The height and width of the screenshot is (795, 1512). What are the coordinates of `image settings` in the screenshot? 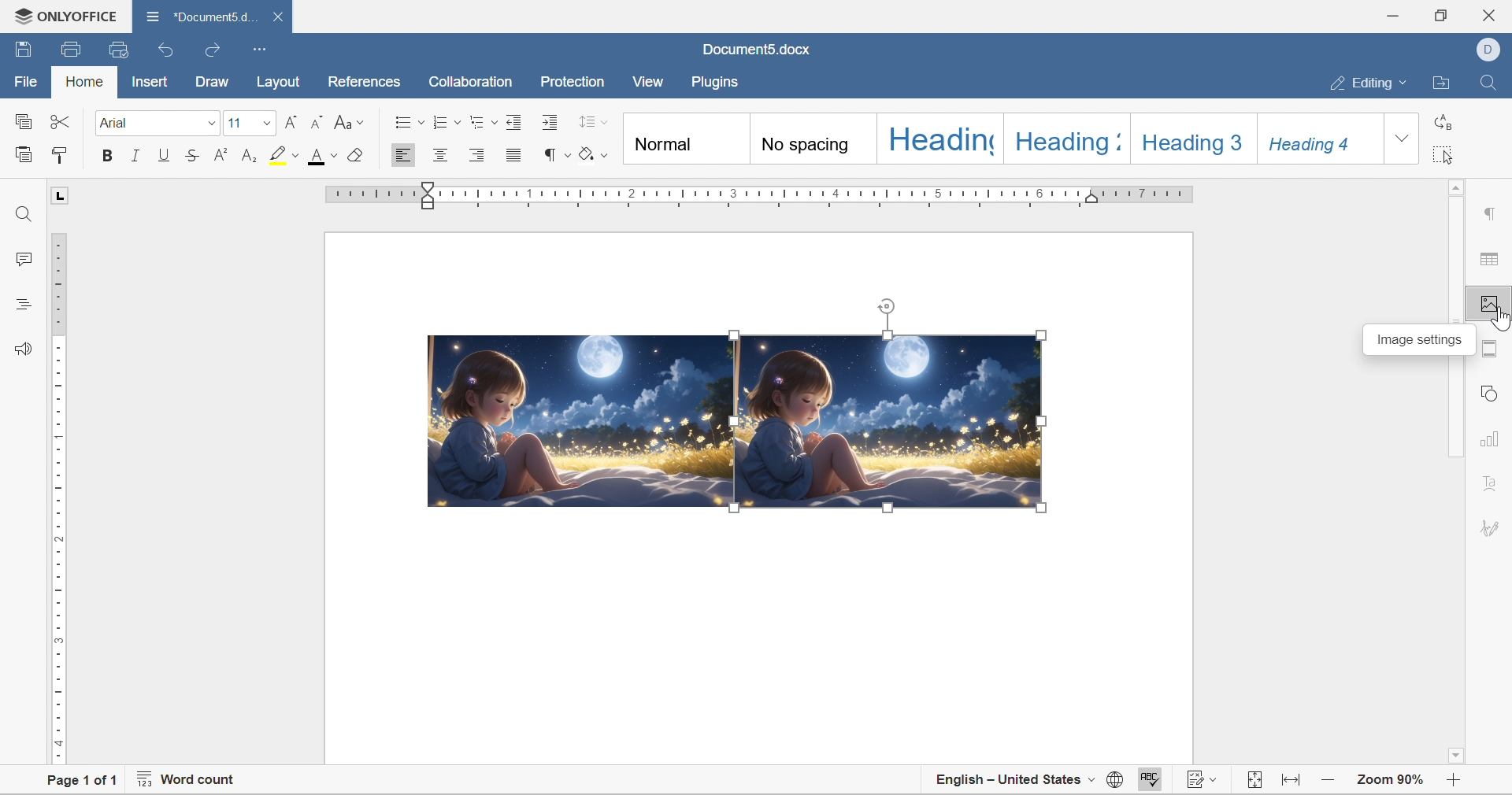 It's located at (1492, 304).